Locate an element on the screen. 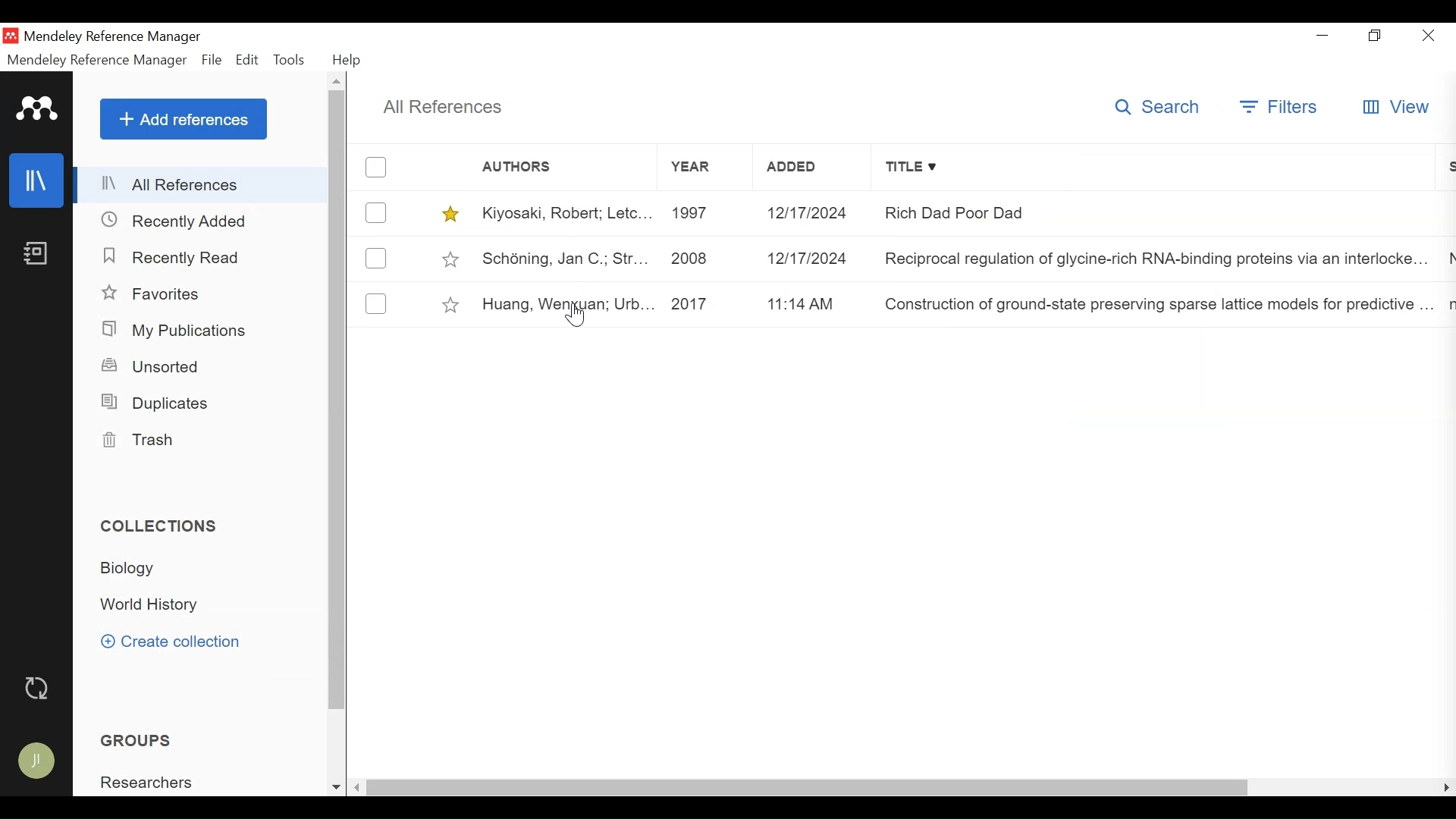 The width and height of the screenshot is (1456, 819). (un)select is located at coordinates (375, 304).